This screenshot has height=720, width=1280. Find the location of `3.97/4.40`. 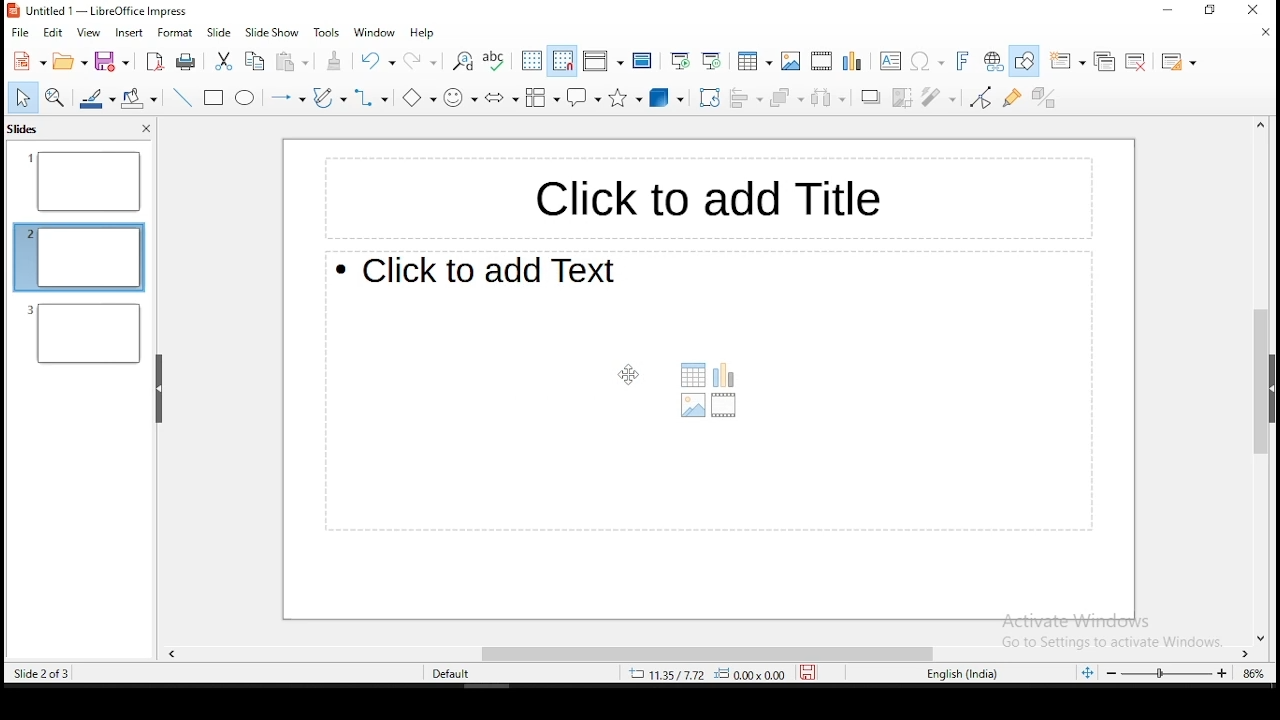

3.97/4.40 is located at coordinates (670, 674).